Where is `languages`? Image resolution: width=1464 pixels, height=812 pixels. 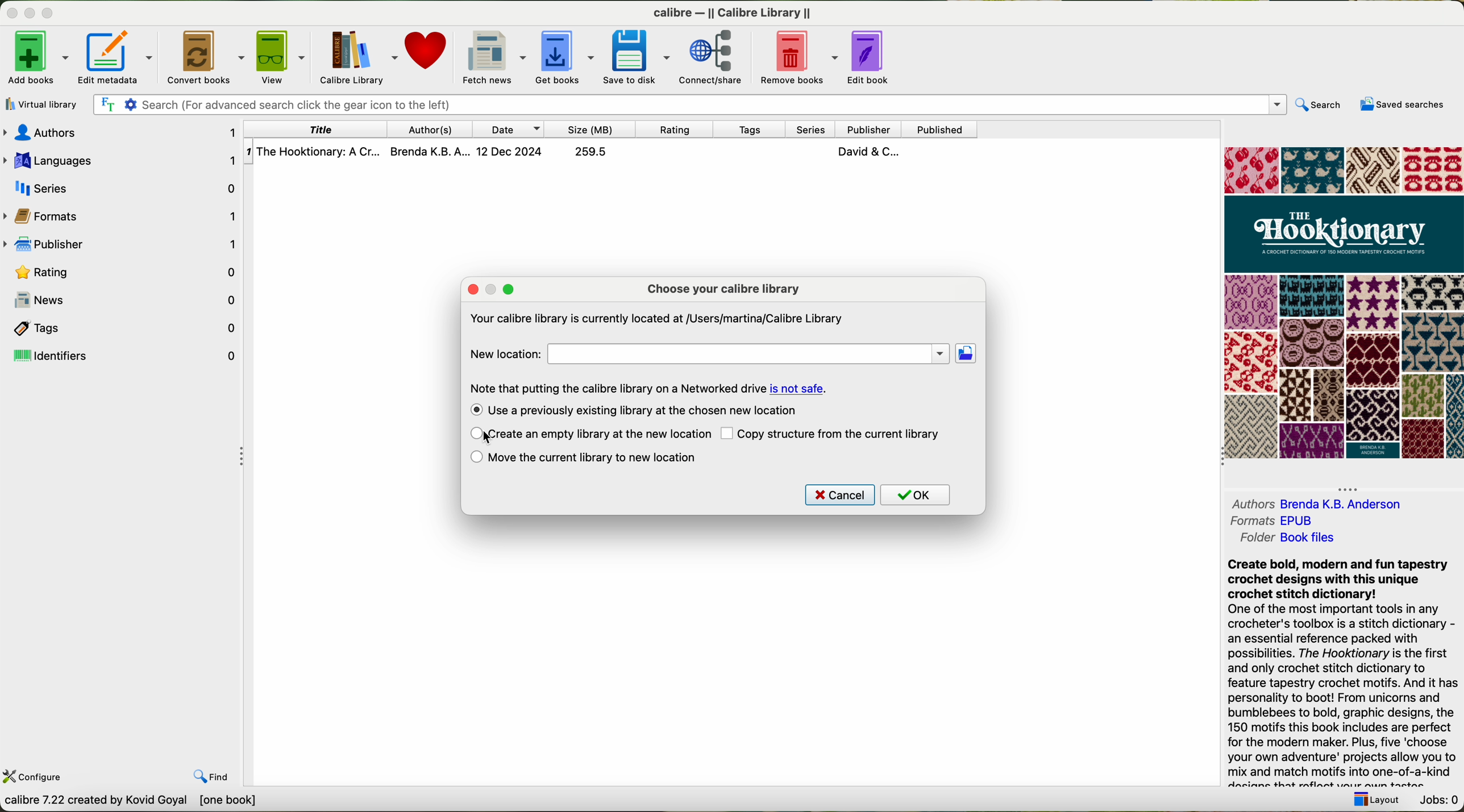
languages is located at coordinates (121, 159).